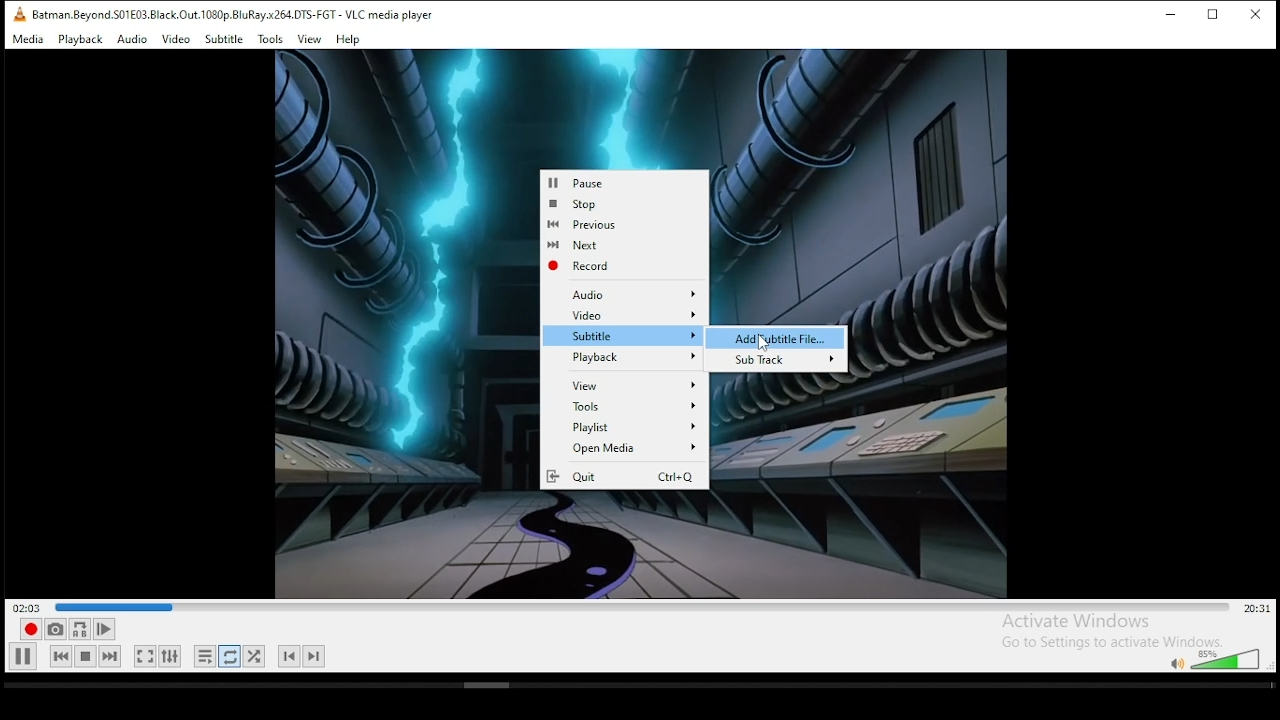 The width and height of the screenshot is (1280, 720). What do you see at coordinates (205, 656) in the screenshot?
I see `toggle playlist` at bounding box center [205, 656].